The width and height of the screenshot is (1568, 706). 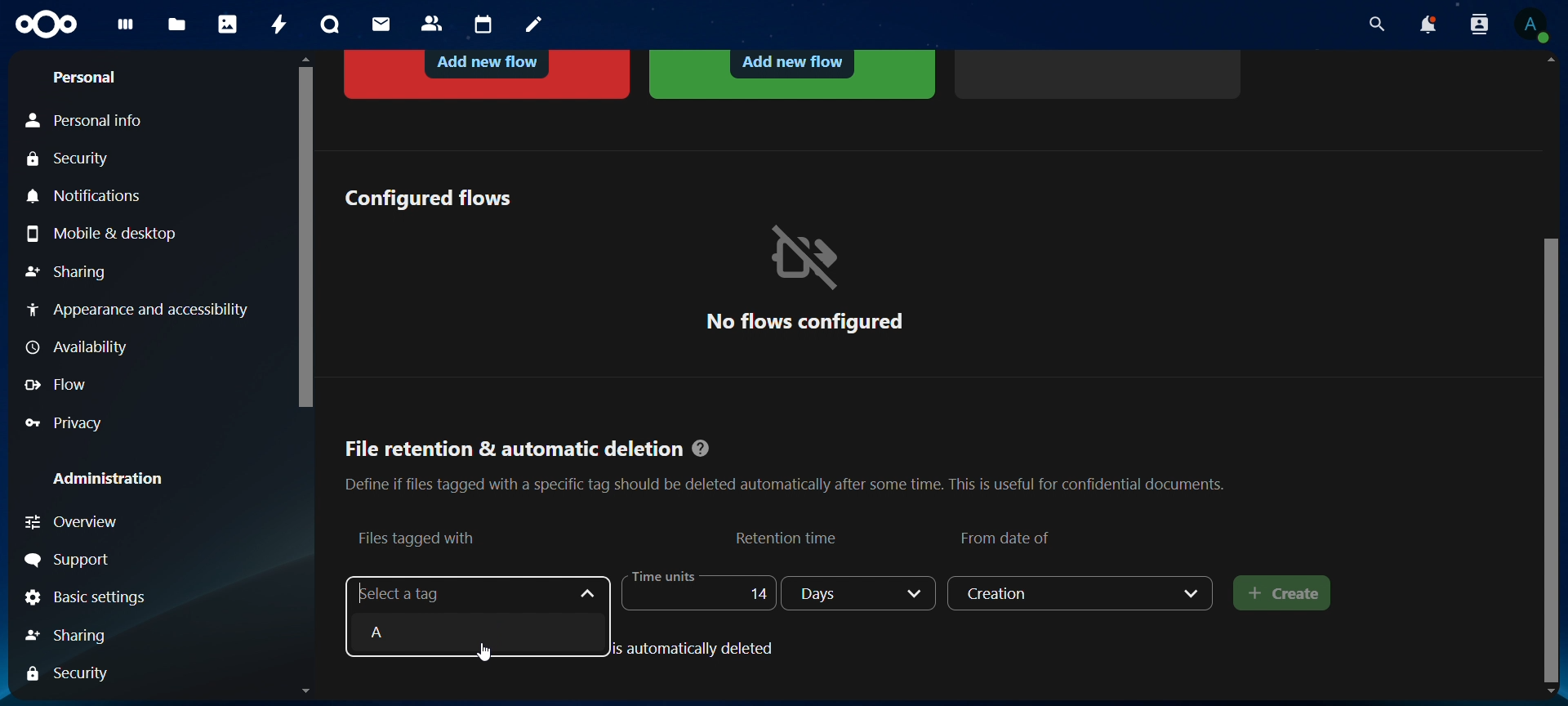 What do you see at coordinates (87, 599) in the screenshot?
I see `basic settings` at bounding box center [87, 599].